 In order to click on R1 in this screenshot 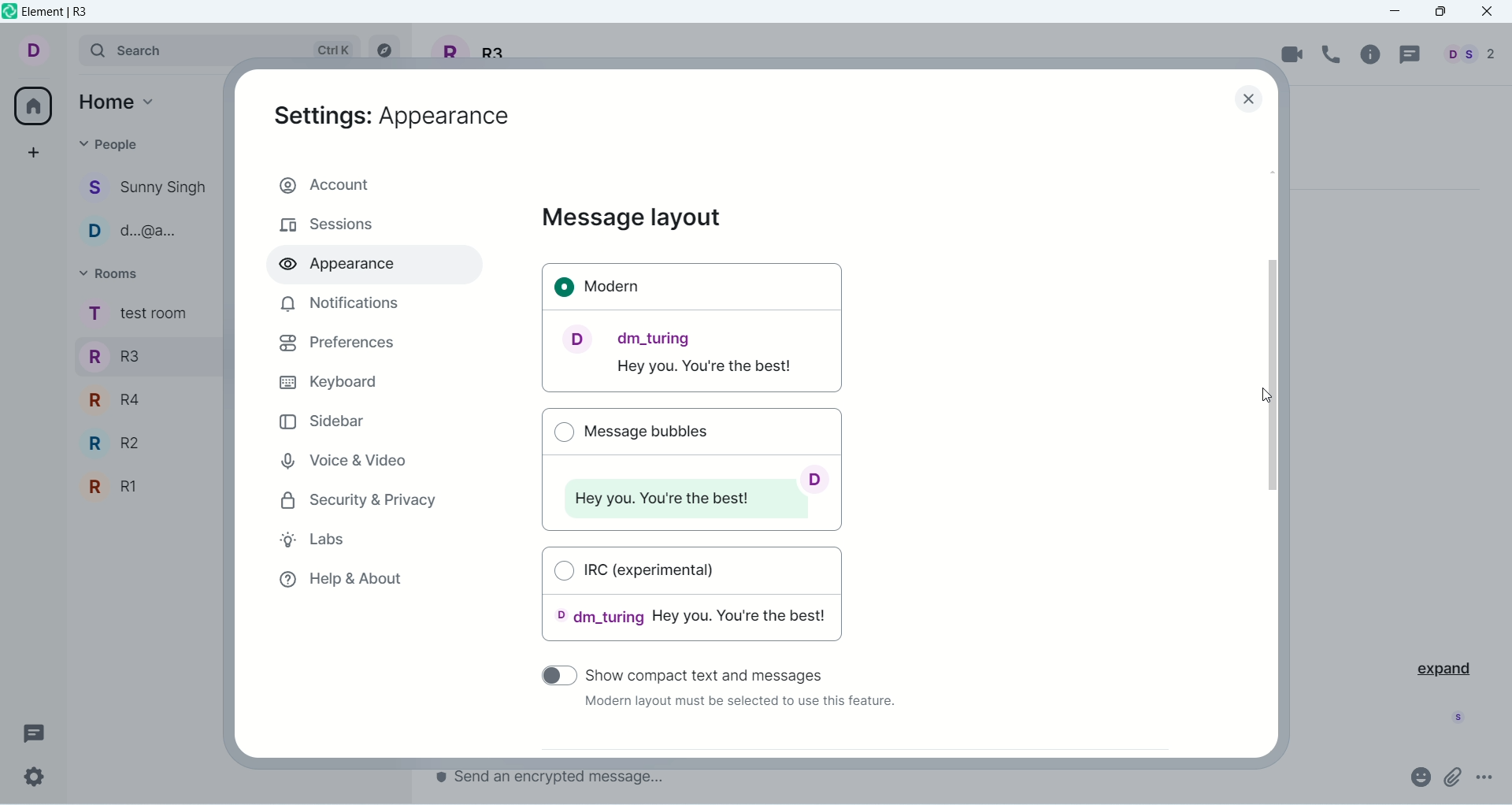, I will do `click(145, 488)`.